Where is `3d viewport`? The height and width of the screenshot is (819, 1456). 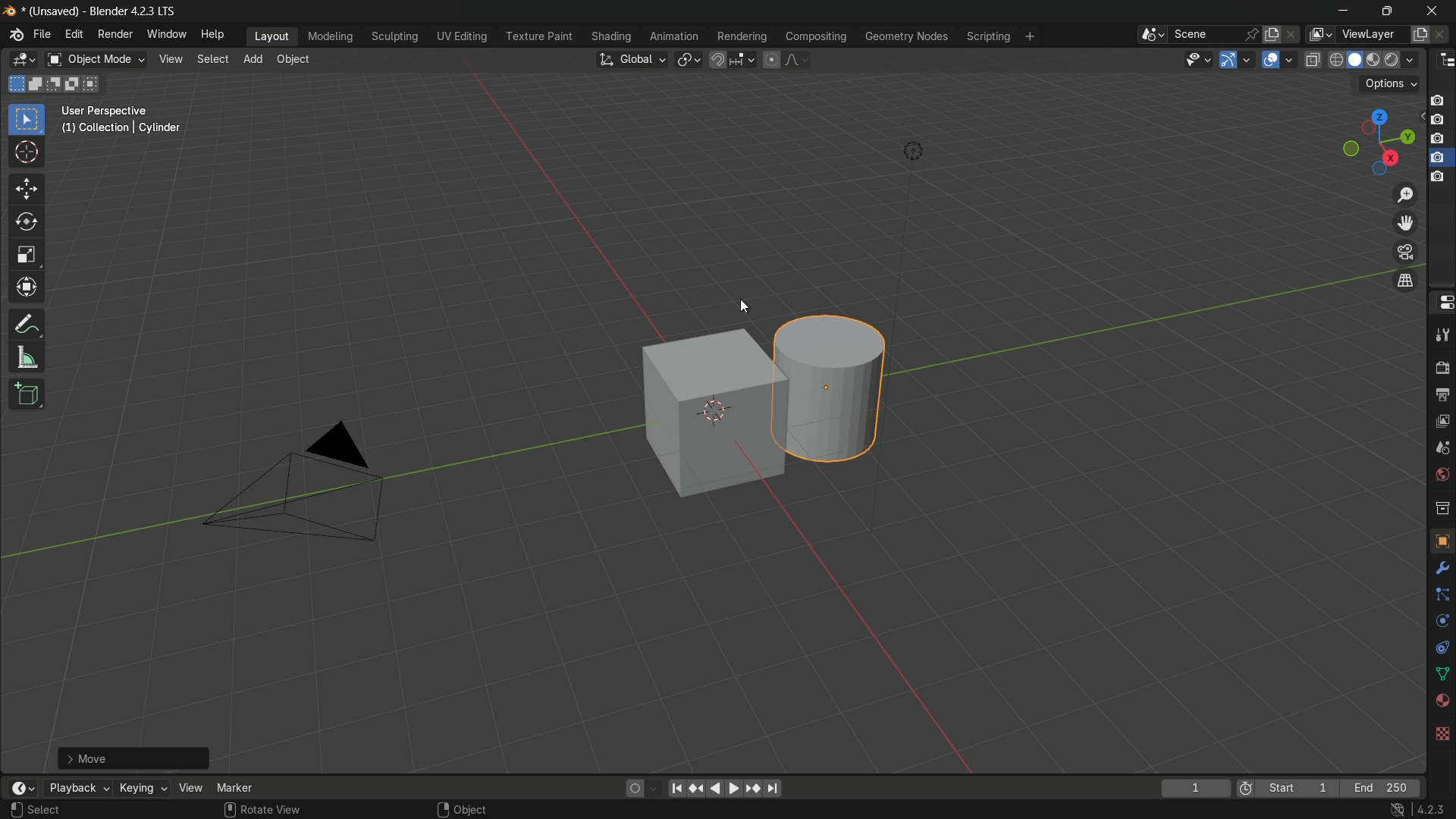 3d viewport is located at coordinates (23, 60).